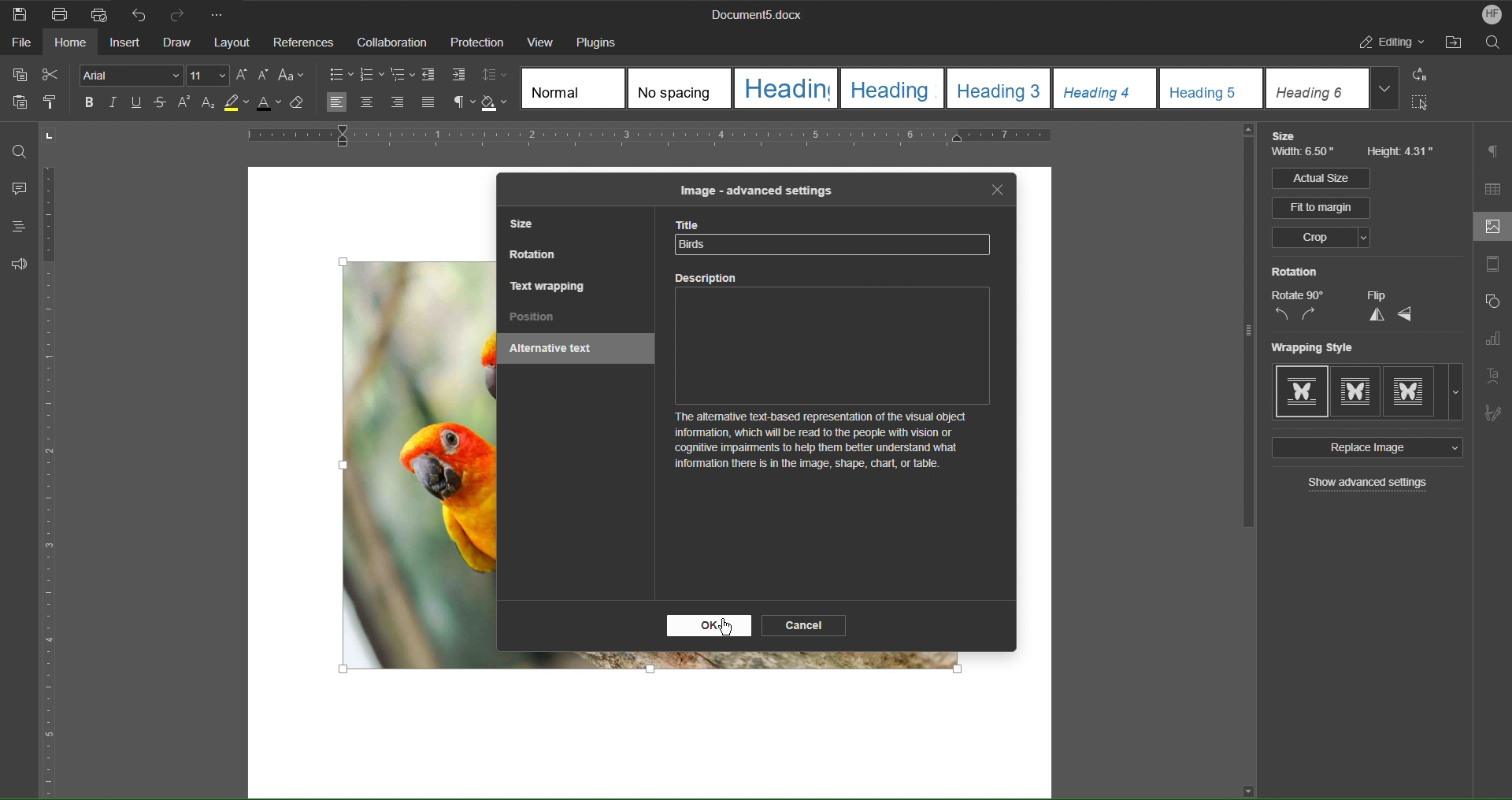 This screenshot has height=800, width=1512. Describe the element at coordinates (140, 104) in the screenshot. I see `Underline` at that location.